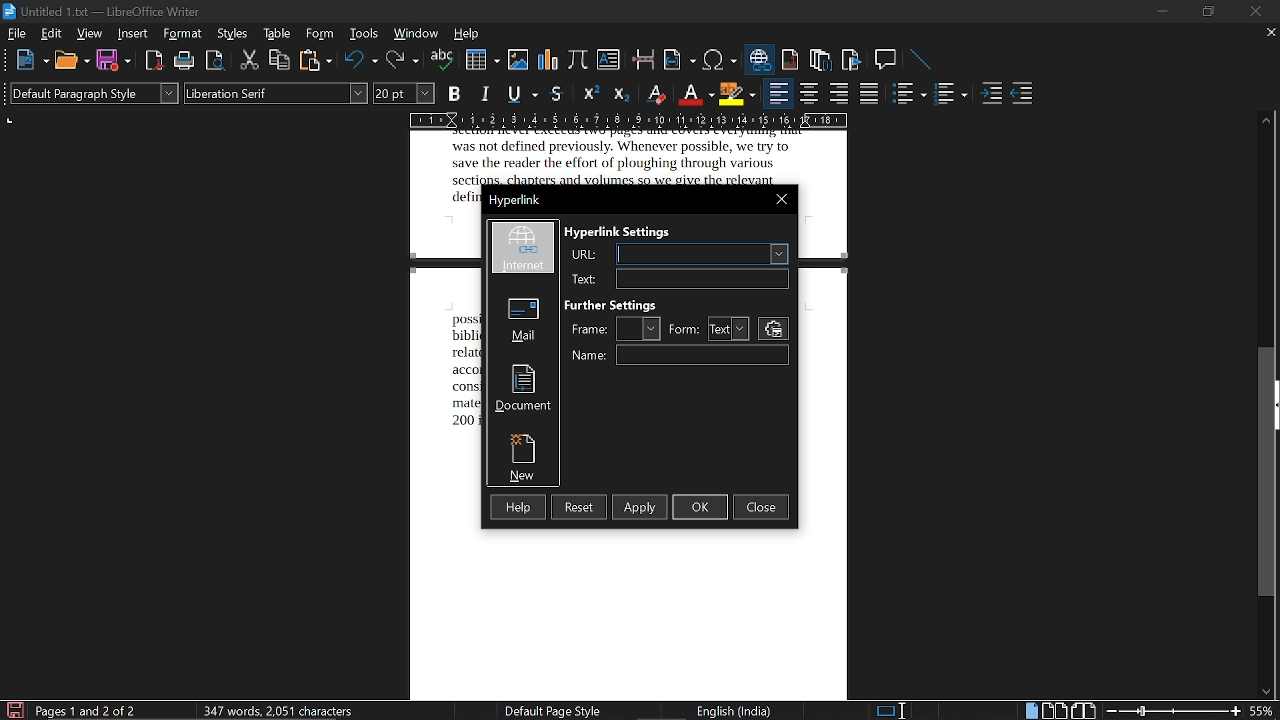 The image size is (1280, 720). What do you see at coordinates (685, 329) in the screenshot?
I see `form` at bounding box center [685, 329].